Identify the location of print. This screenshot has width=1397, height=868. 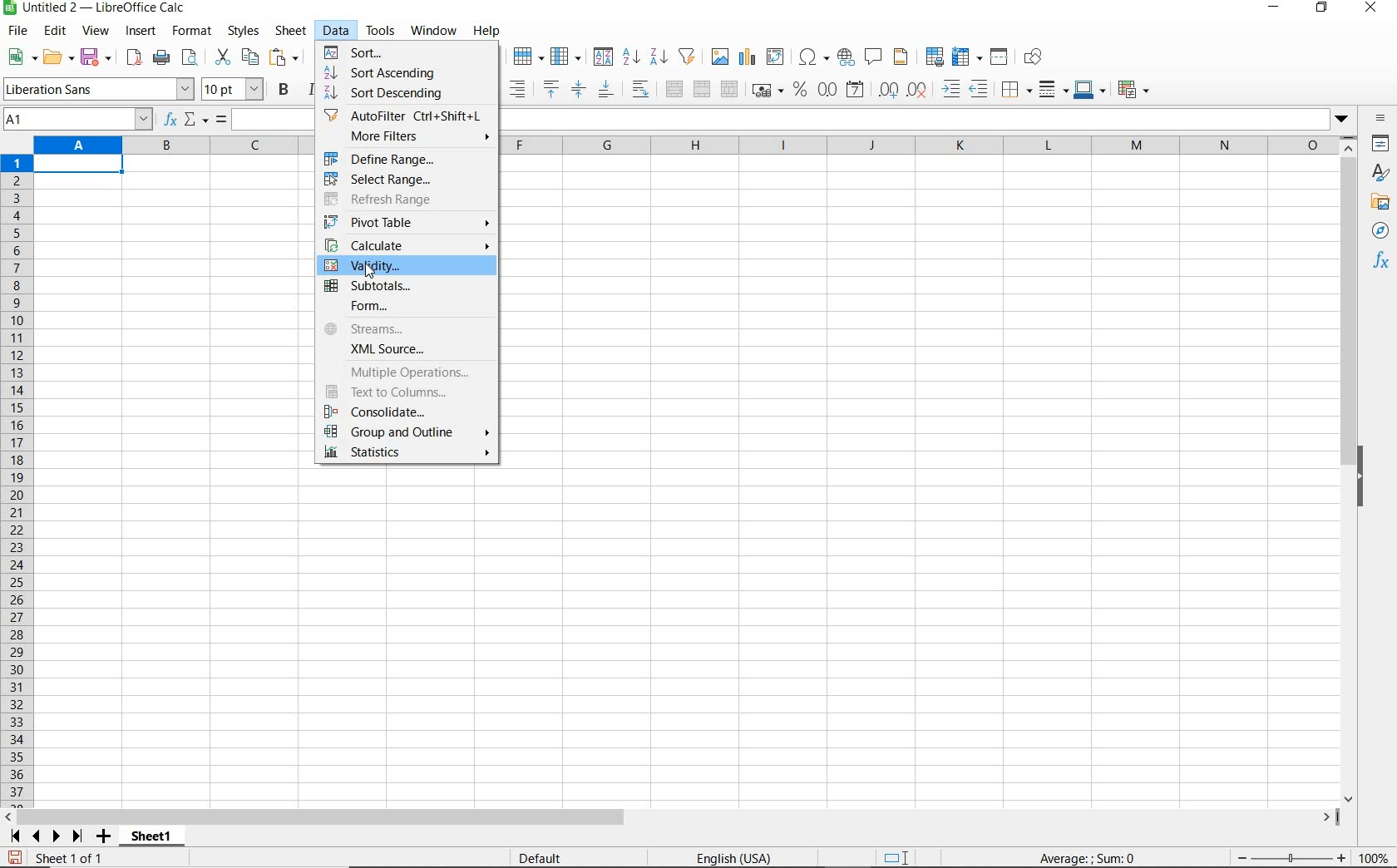
(161, 57).